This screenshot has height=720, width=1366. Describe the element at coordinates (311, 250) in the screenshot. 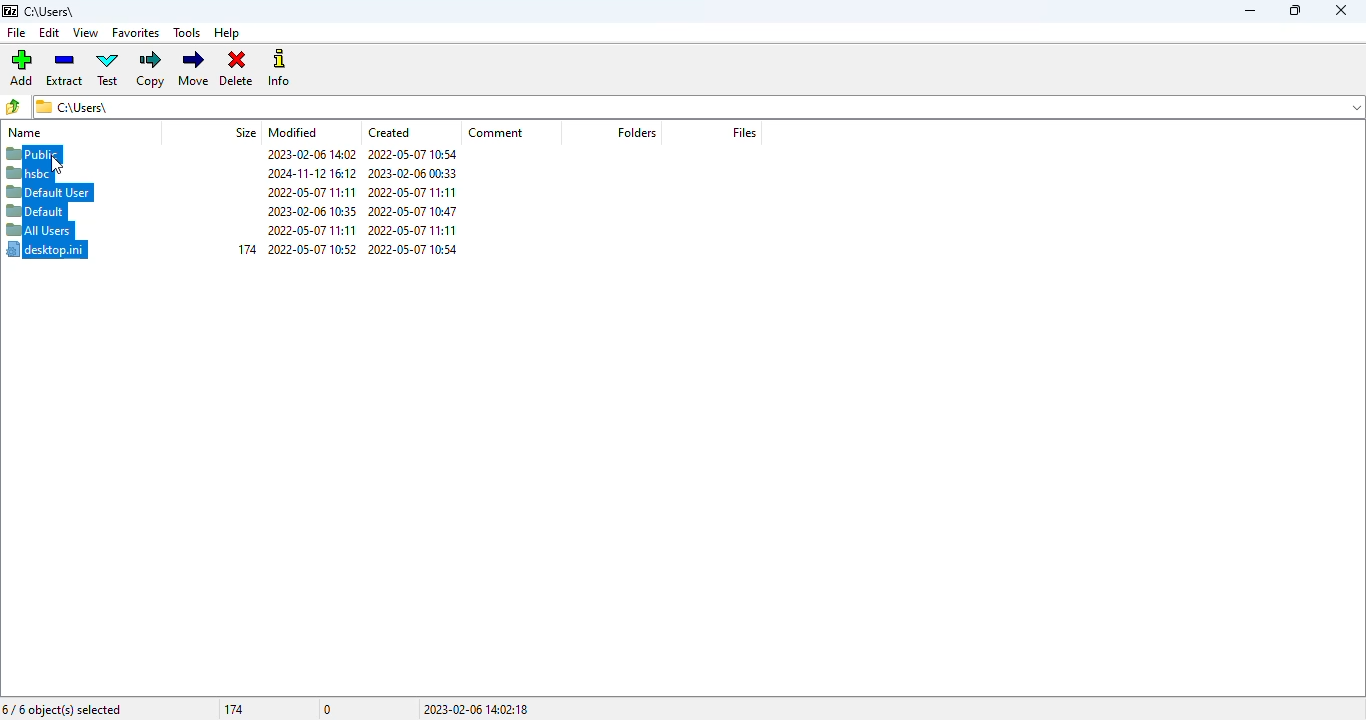

I see ` 2022-05-07 10:52` at that location.